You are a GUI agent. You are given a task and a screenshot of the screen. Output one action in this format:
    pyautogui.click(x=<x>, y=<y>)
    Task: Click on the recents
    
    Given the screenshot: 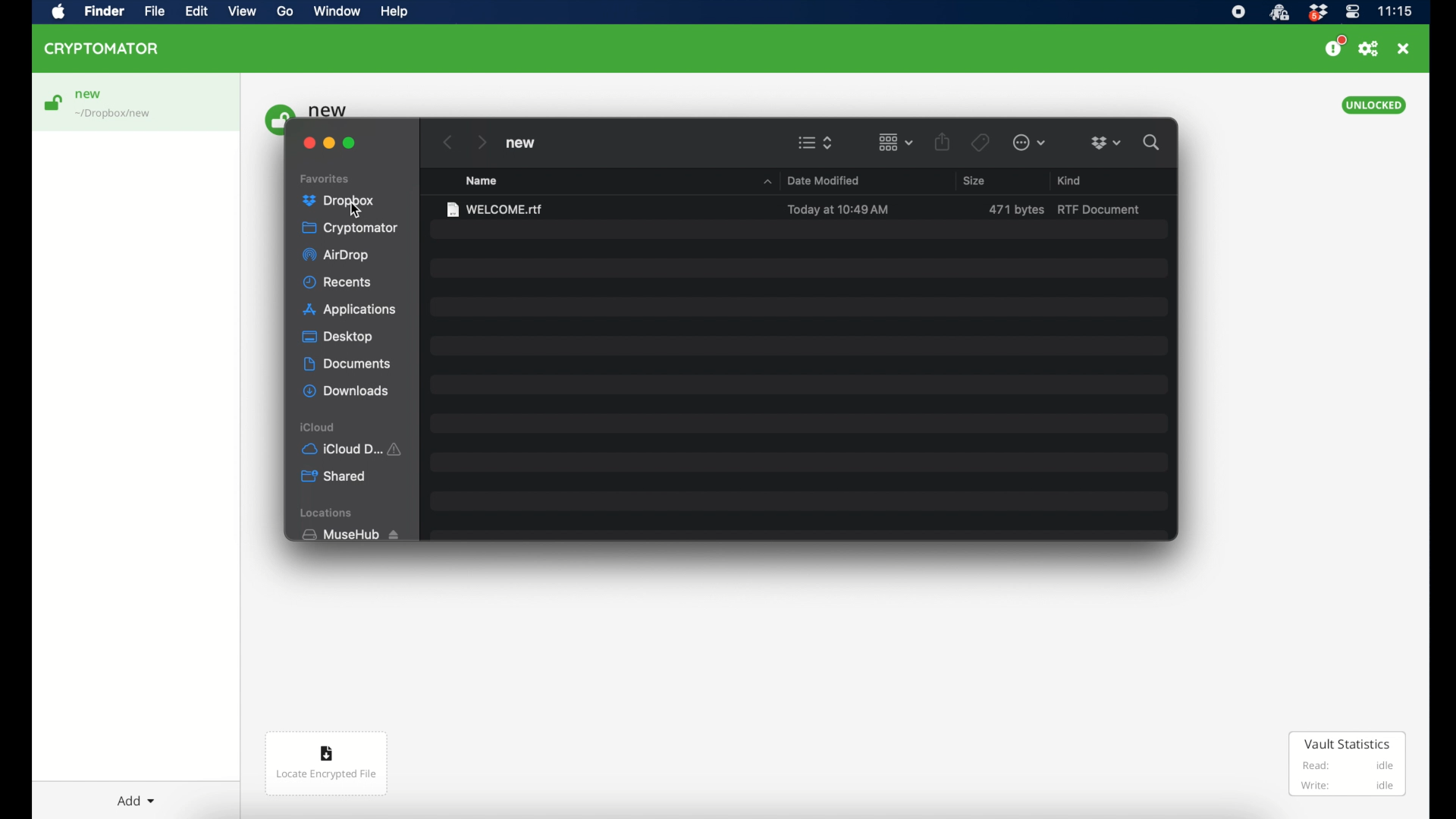 What is the action you would take?
    pyautogui.click(x=337, y=282)
    